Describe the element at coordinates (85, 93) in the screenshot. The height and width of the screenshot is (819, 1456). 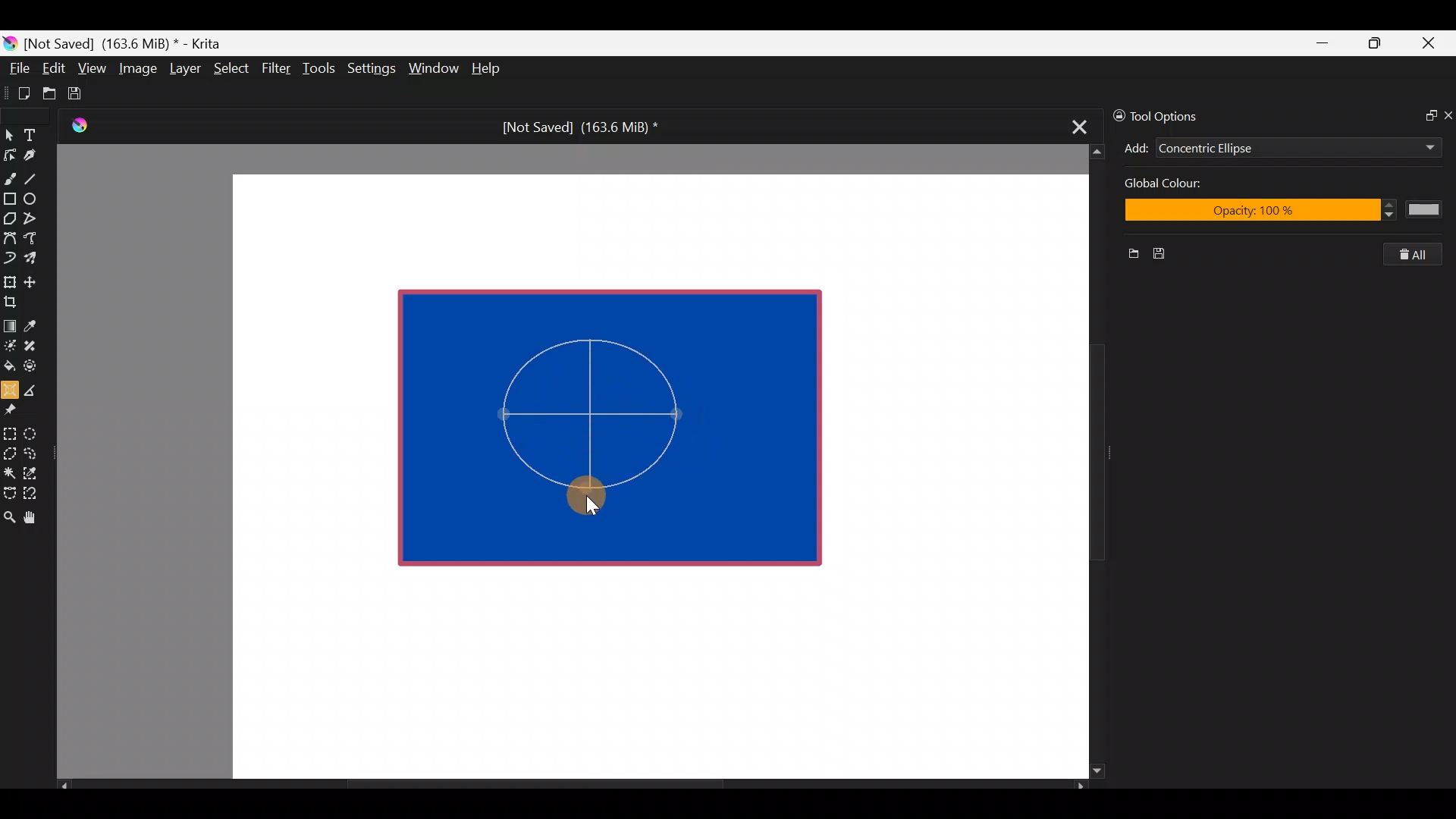
I see `Save` at that location.